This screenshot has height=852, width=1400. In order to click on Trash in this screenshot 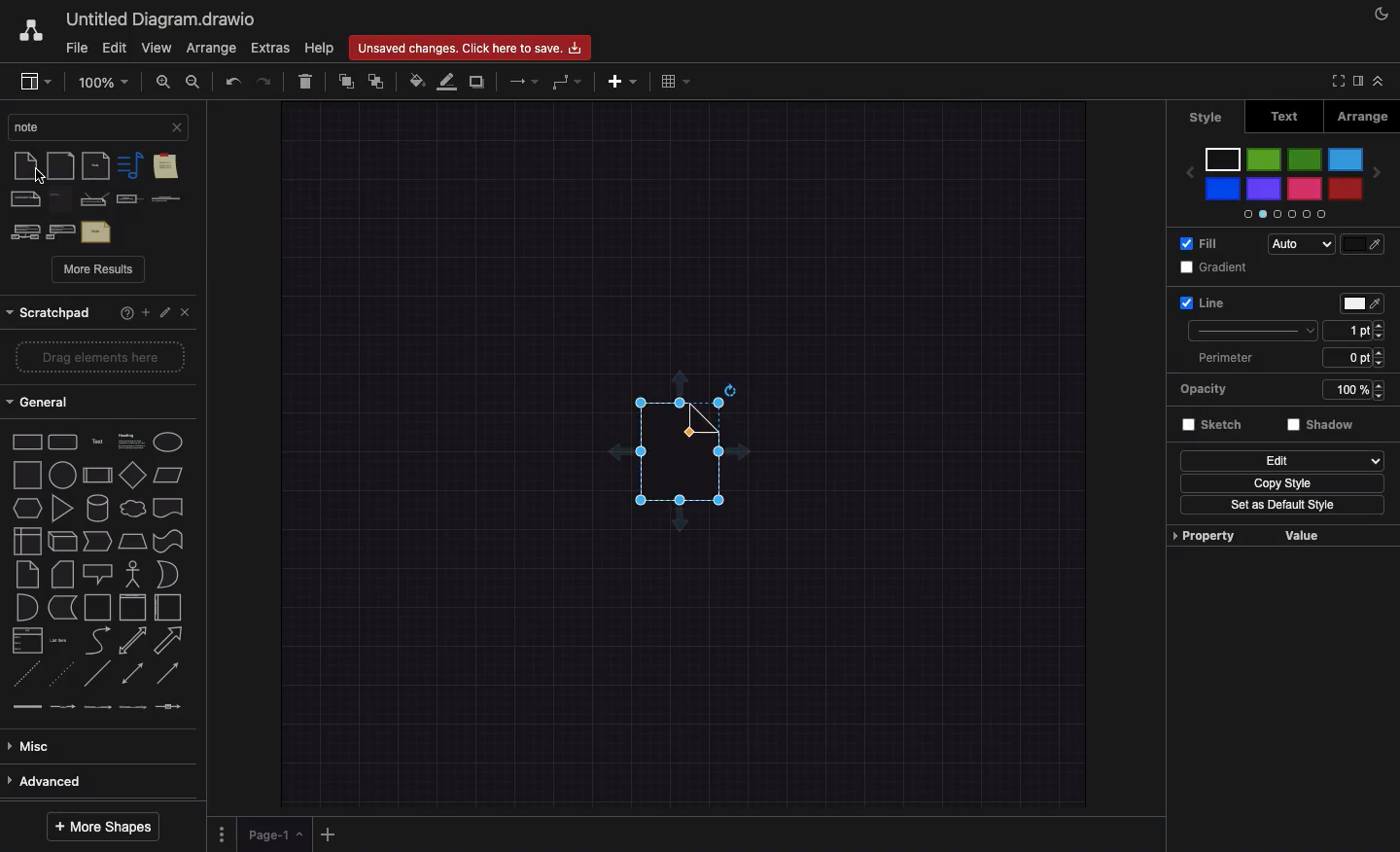, I will do `click(303, 79)`.